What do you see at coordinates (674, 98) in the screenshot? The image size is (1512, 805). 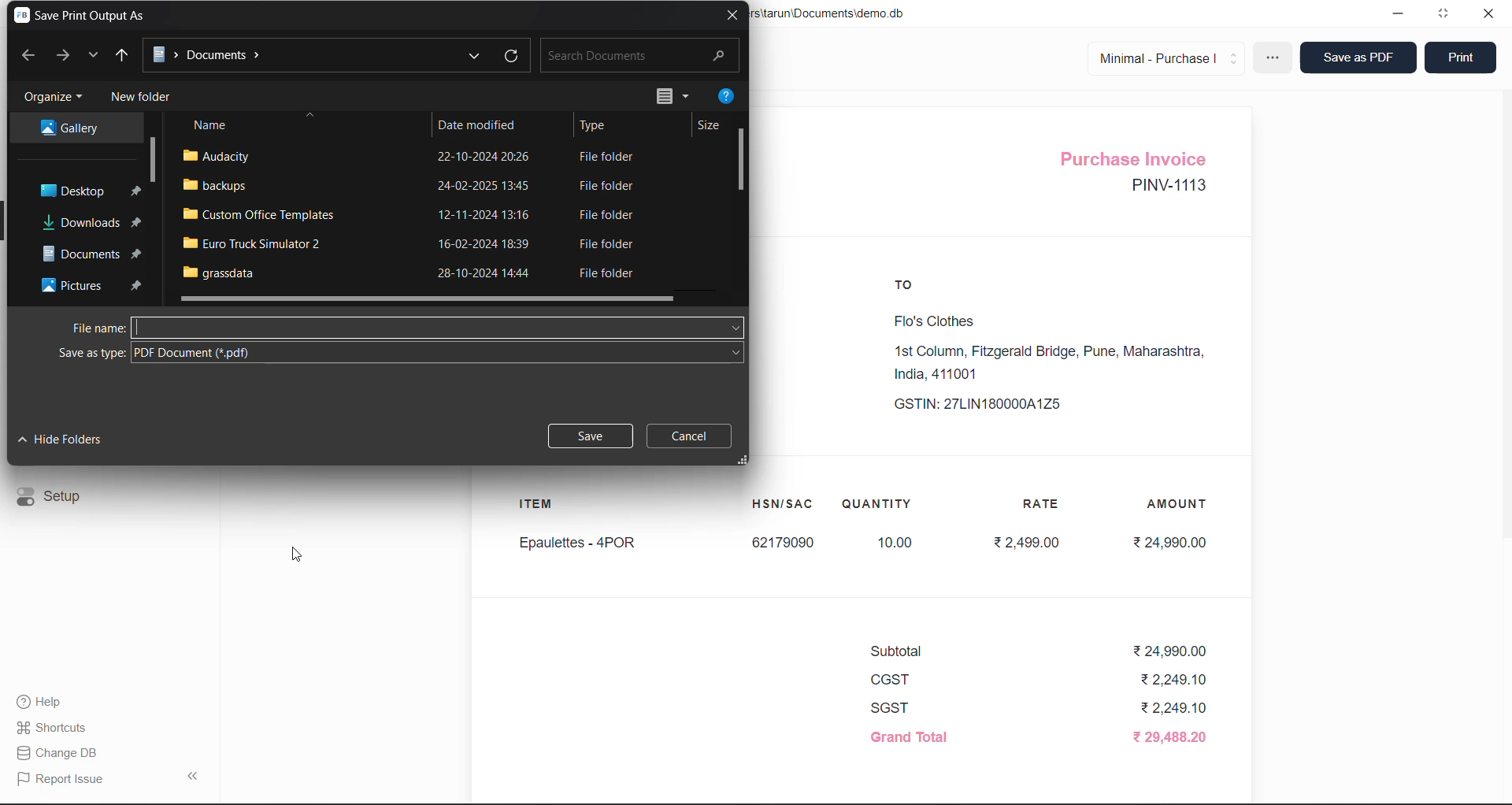 I see `change your view` at bounding box center [674, 98].